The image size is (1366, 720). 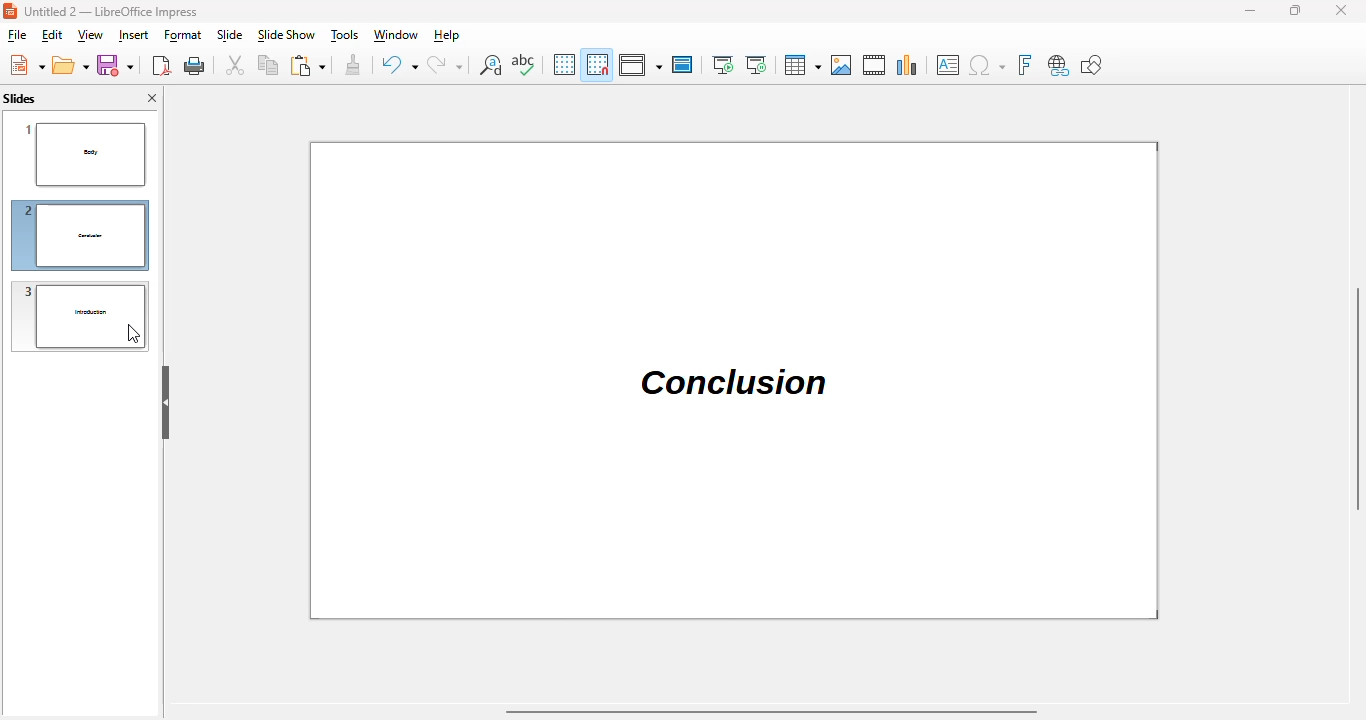 I want to click on close, so click(x=1340, y=10).